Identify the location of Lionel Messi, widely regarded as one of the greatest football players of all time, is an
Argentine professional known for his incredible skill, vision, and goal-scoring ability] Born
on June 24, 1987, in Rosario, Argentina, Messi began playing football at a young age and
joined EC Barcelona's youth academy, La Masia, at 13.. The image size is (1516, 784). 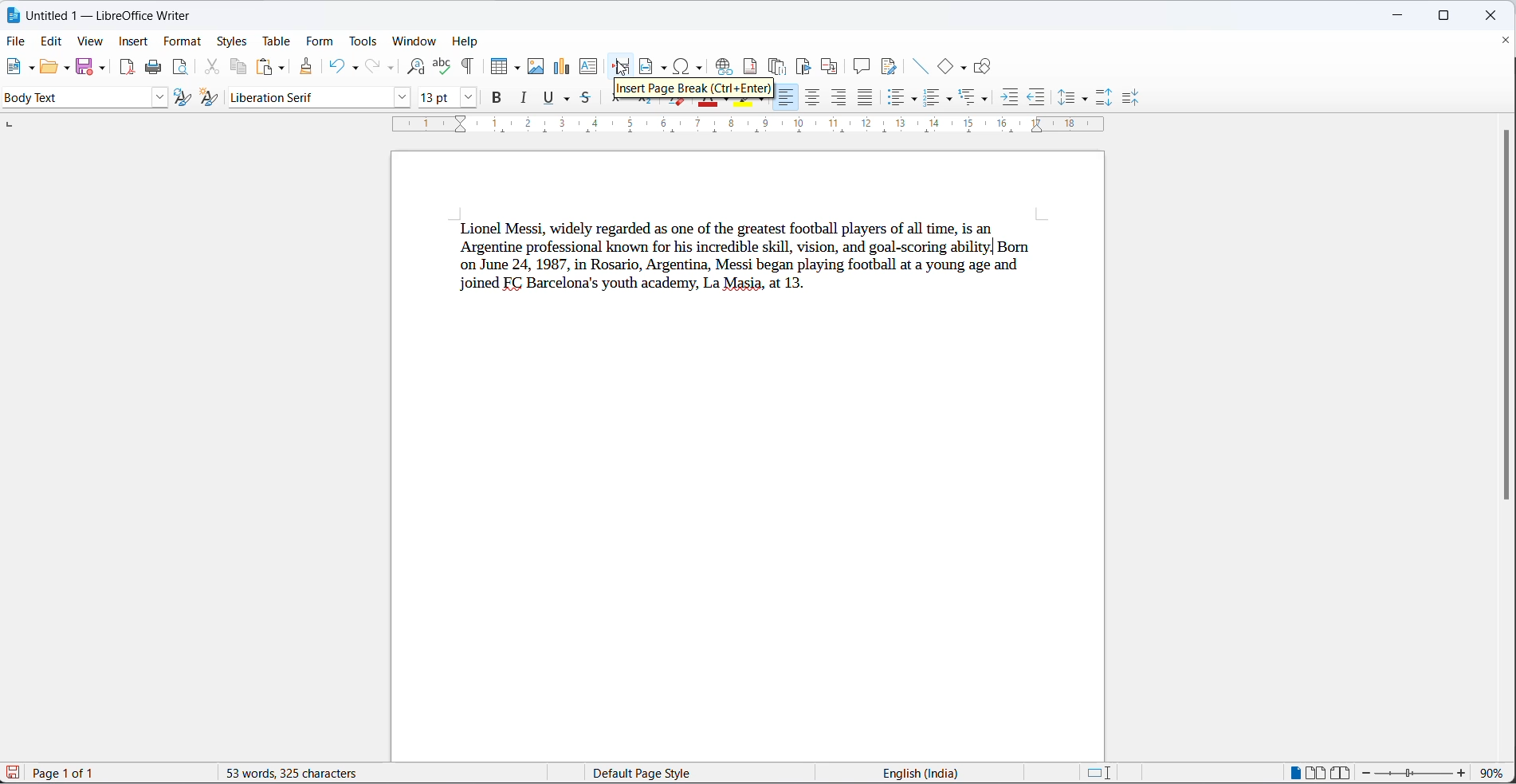
(759, 265).